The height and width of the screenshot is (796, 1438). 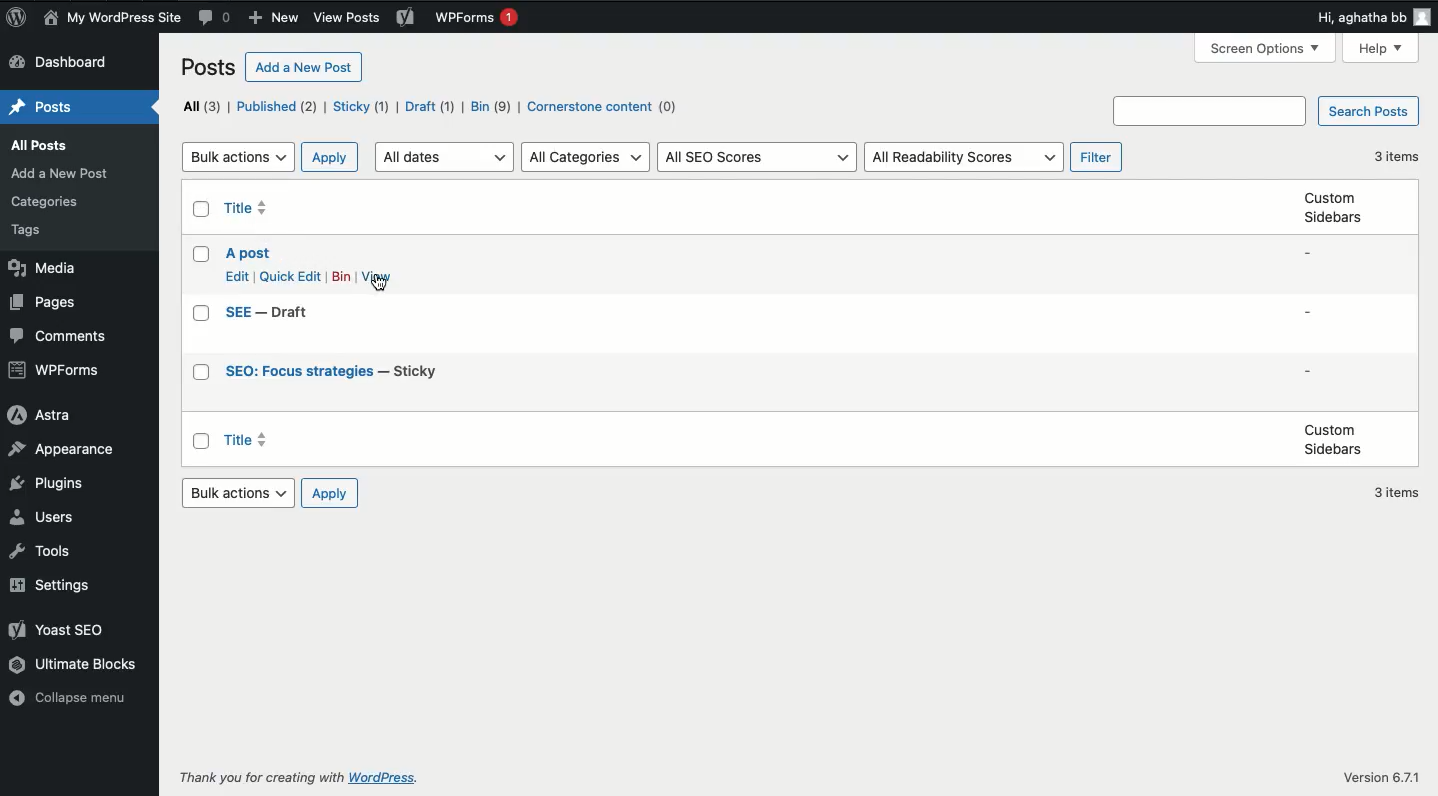 What do you see at coordinates (361, 107) in the screenshot?
I see `Sticky ` at bounding box center [361, 107].